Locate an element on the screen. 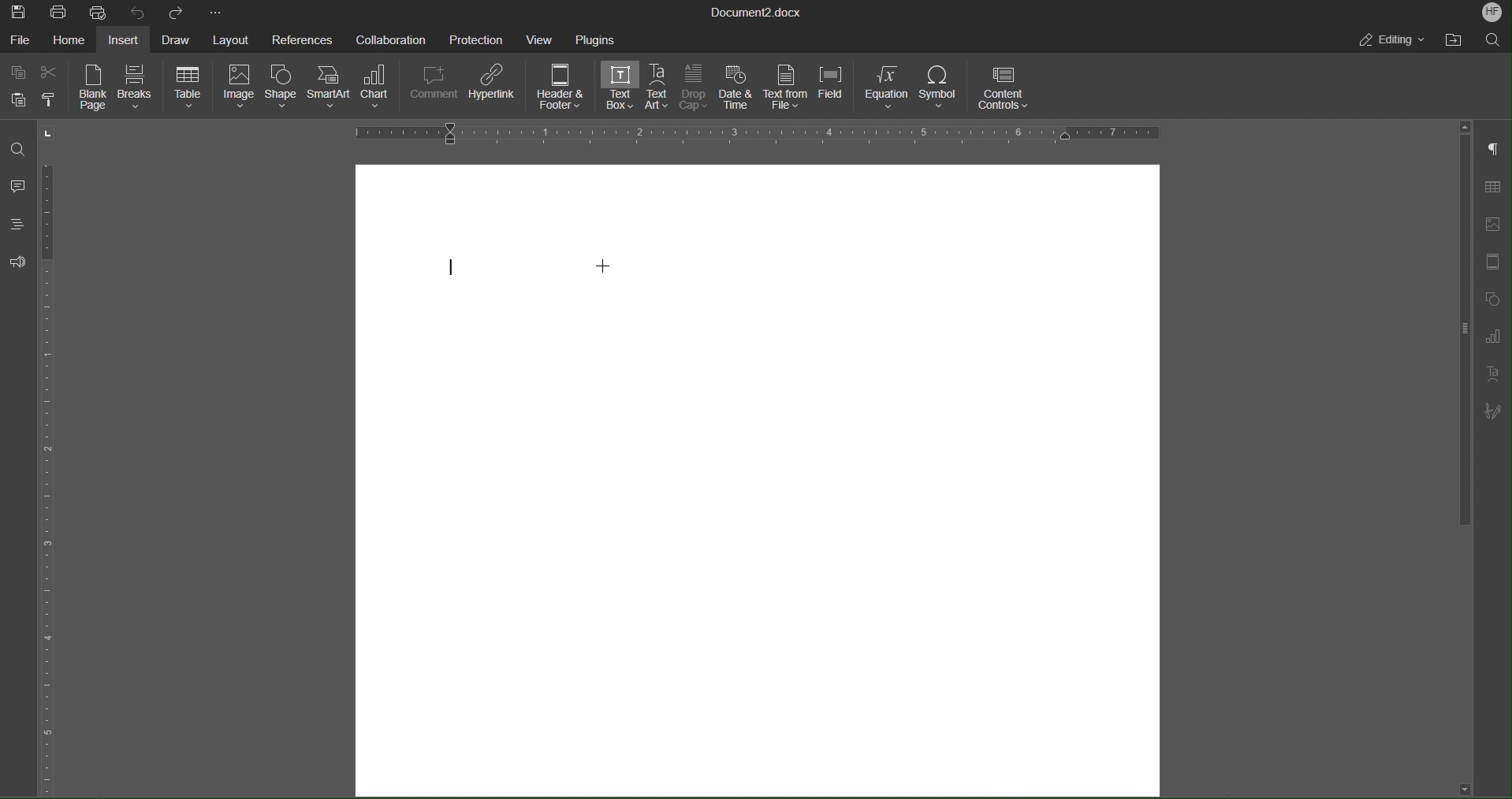 The height and width of the screenshot is (799, 1512). Cut is located at coordinates (50, 69).